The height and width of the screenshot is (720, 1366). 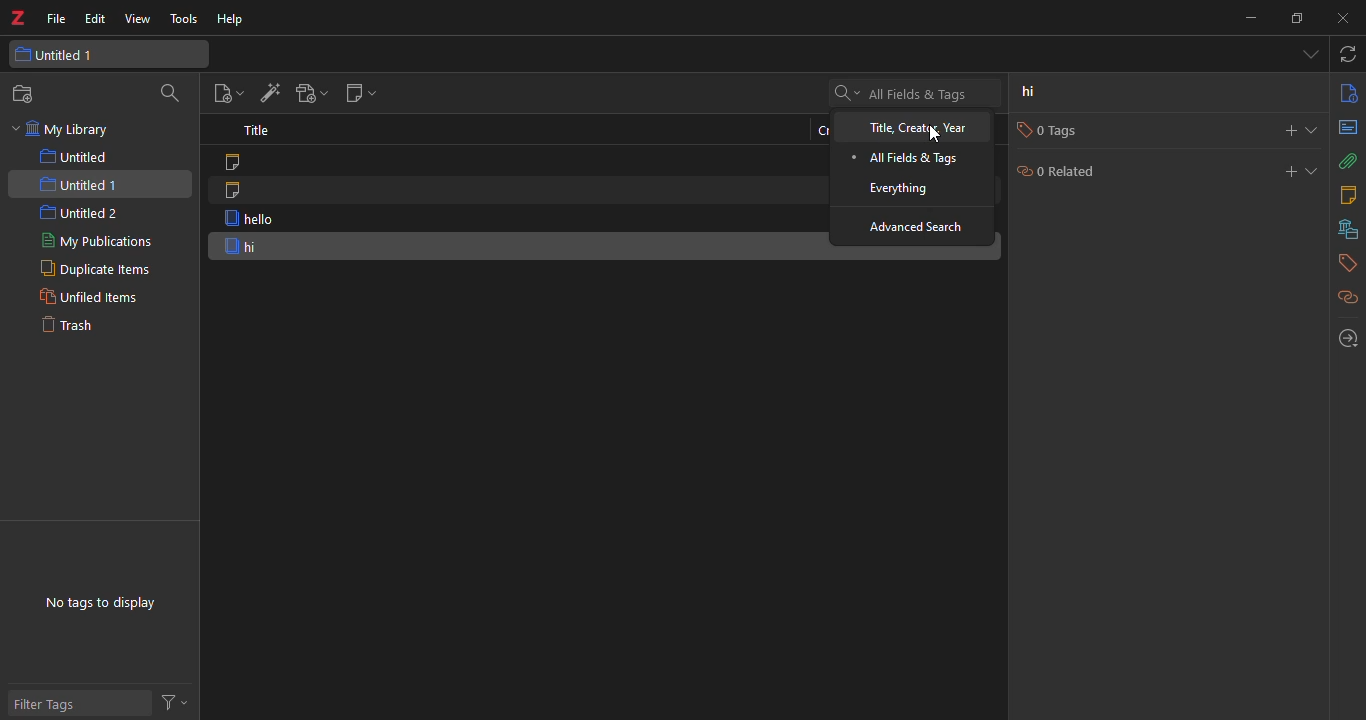 I want to click on notes, so click(x=1350, y=194).